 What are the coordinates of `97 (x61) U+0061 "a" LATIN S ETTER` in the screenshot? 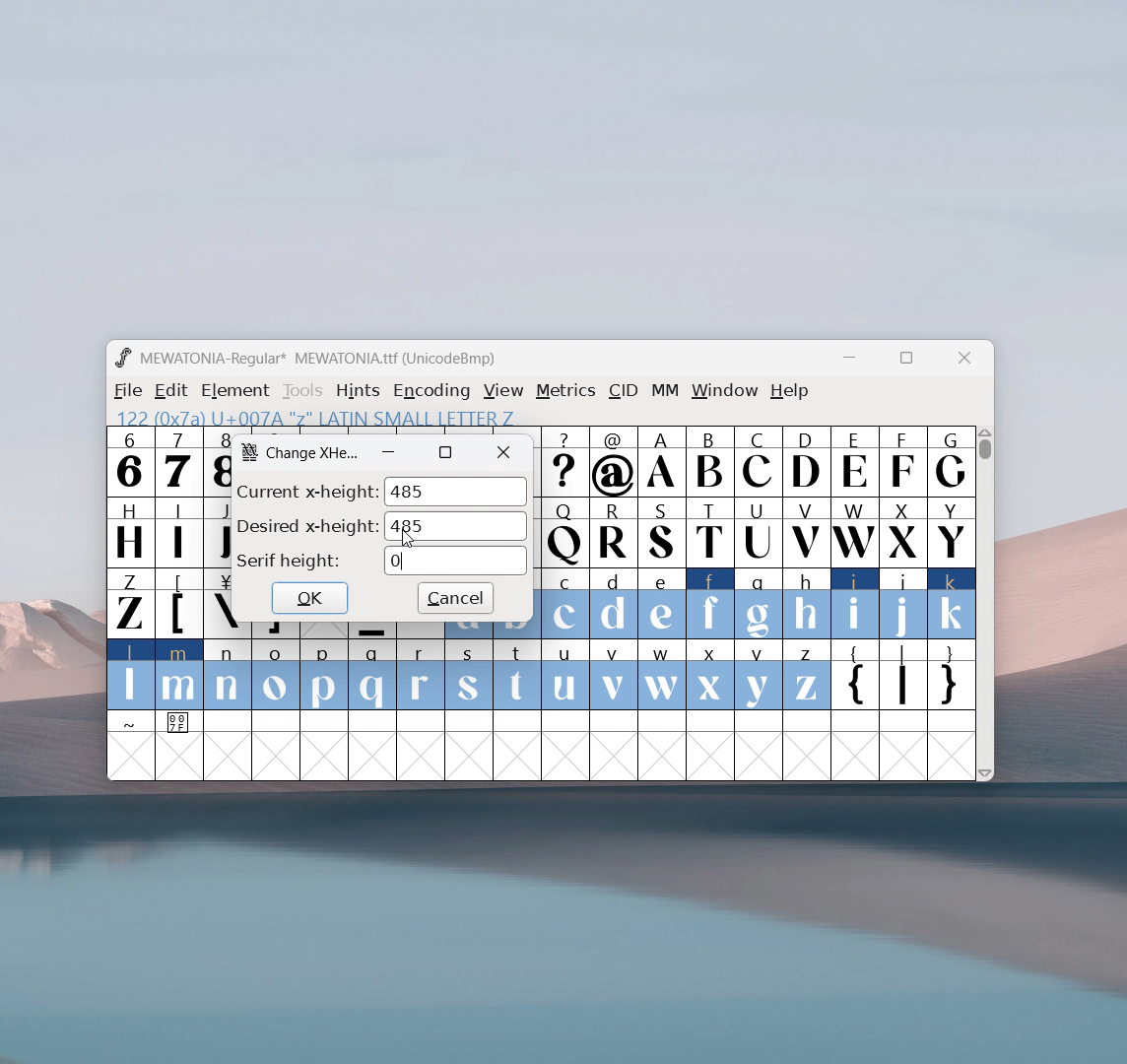 It's located at (310, 416).